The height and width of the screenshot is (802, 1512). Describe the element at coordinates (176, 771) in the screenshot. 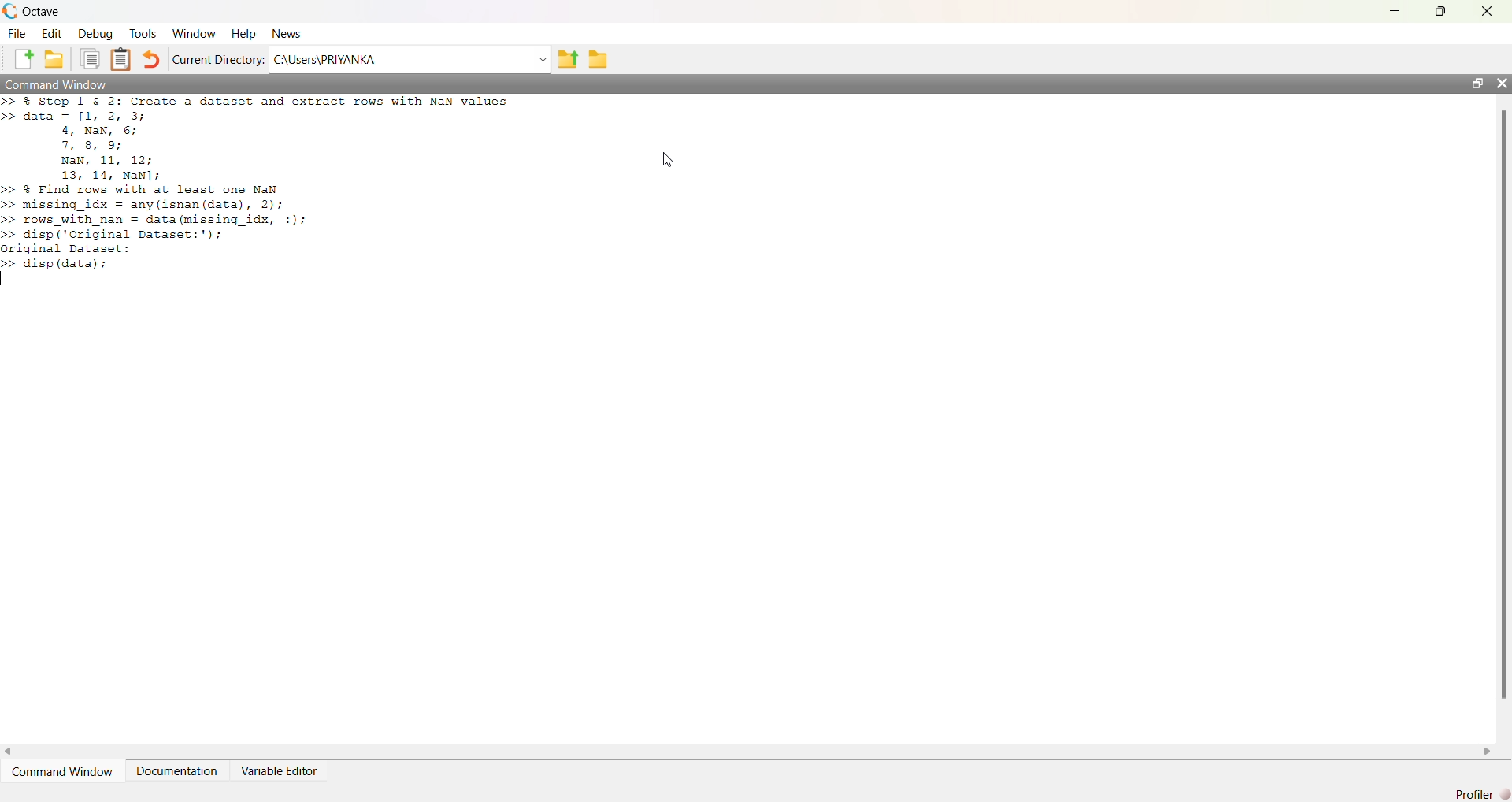

I see `Documentation` at that location.